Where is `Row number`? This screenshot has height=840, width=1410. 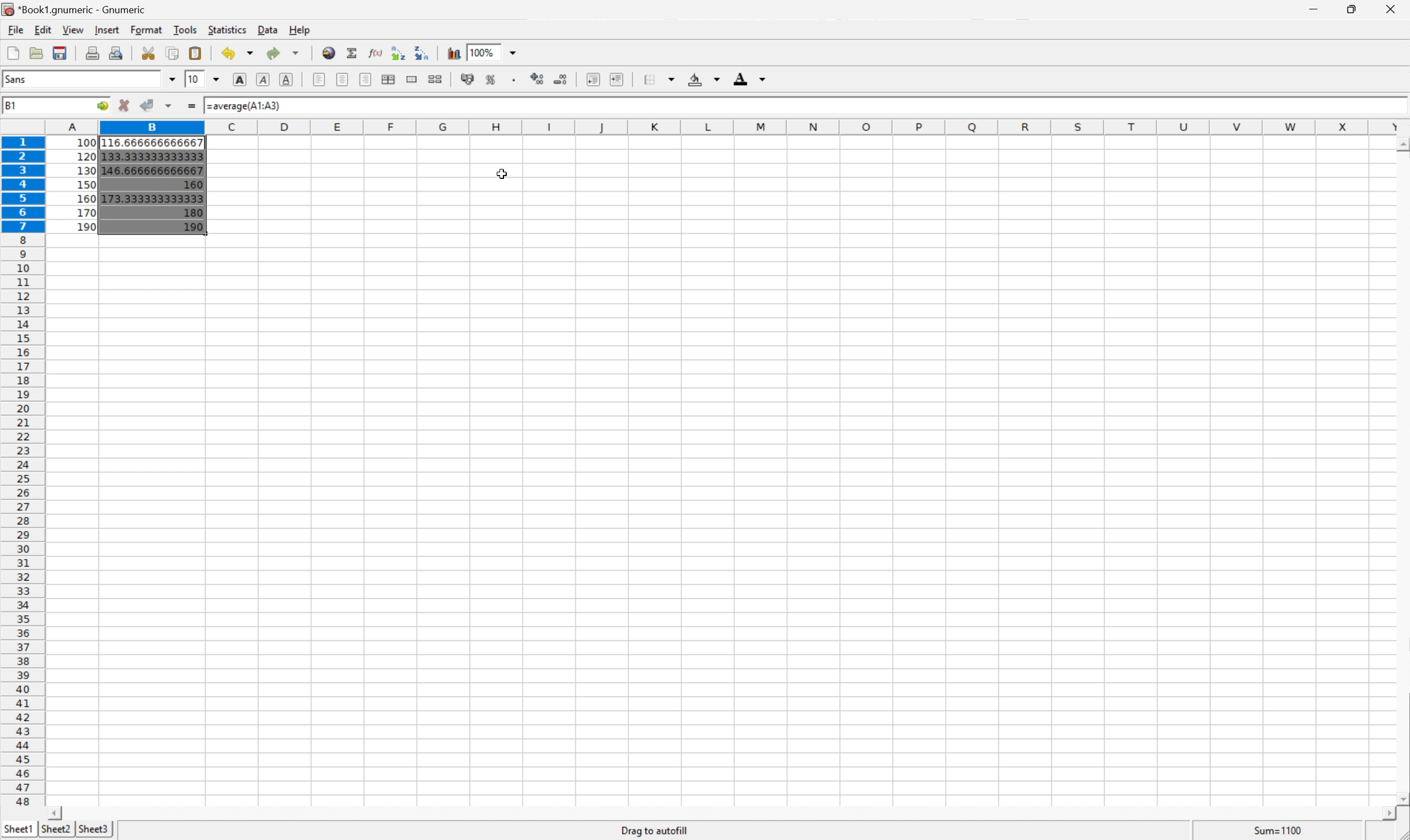 Row number is located at coordinates (22, 472).